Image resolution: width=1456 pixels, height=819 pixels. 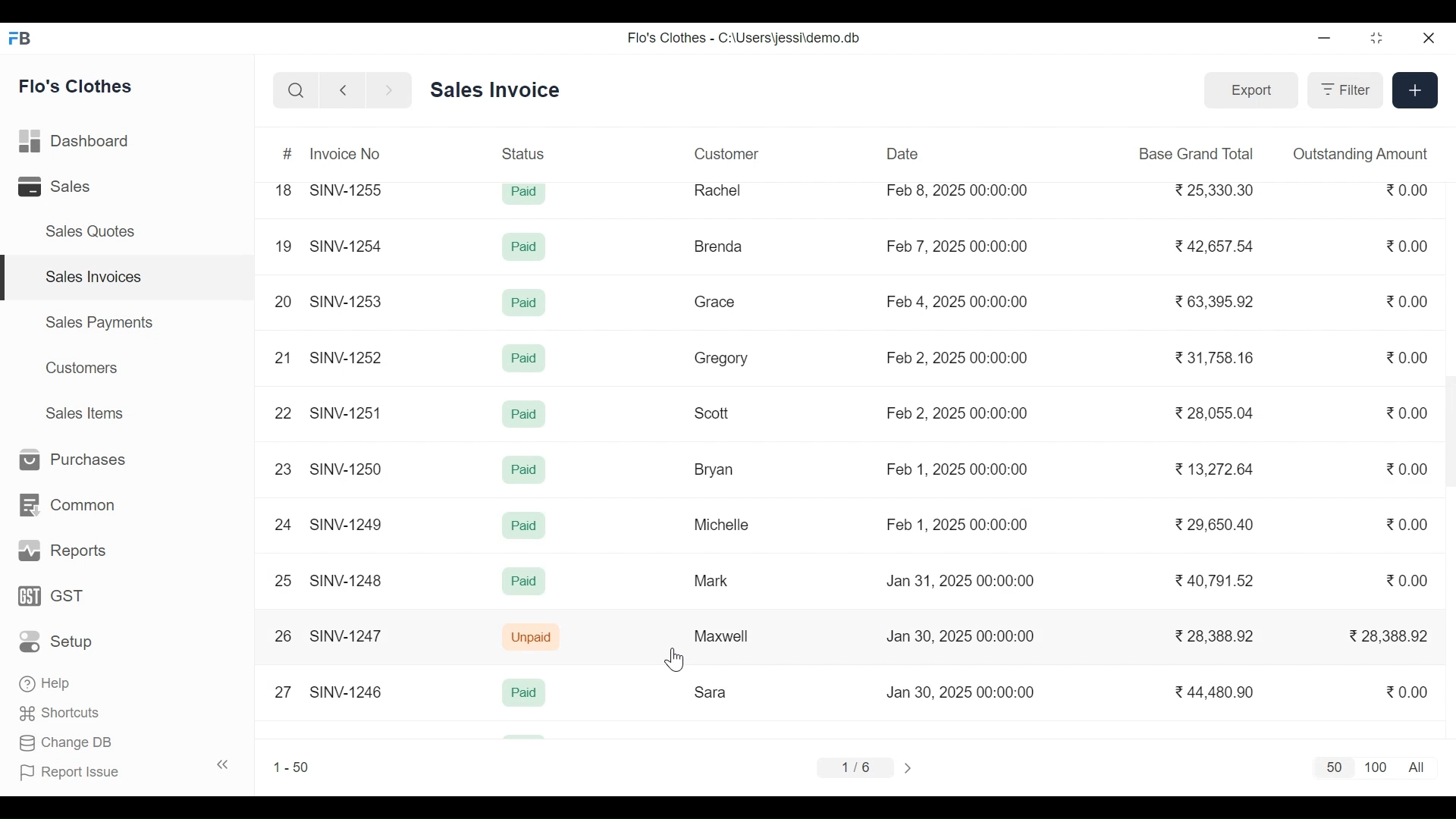 What do you see at coordinates (715, 303) in the screenshot?
I see `Grace` at bounding box center [715, 303].